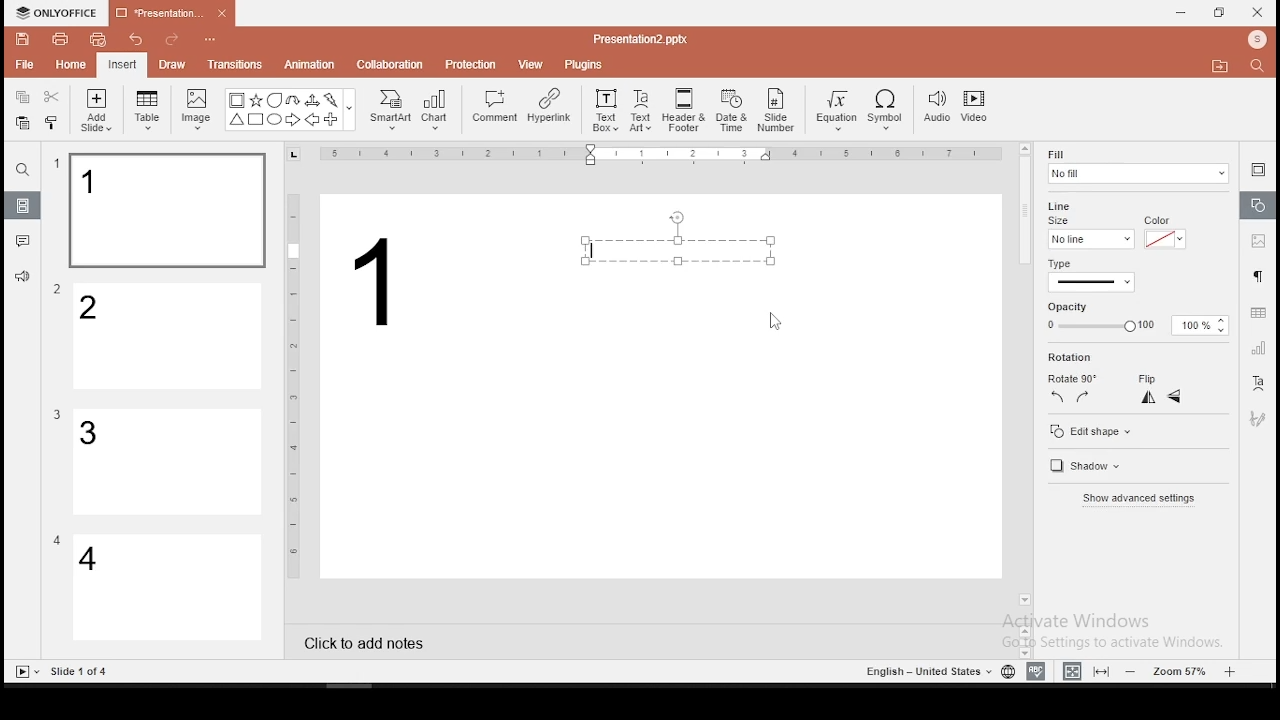  What do you see at coordinates (214, 41) in the screenshot?
I see `` at bounding box center [214, 41].